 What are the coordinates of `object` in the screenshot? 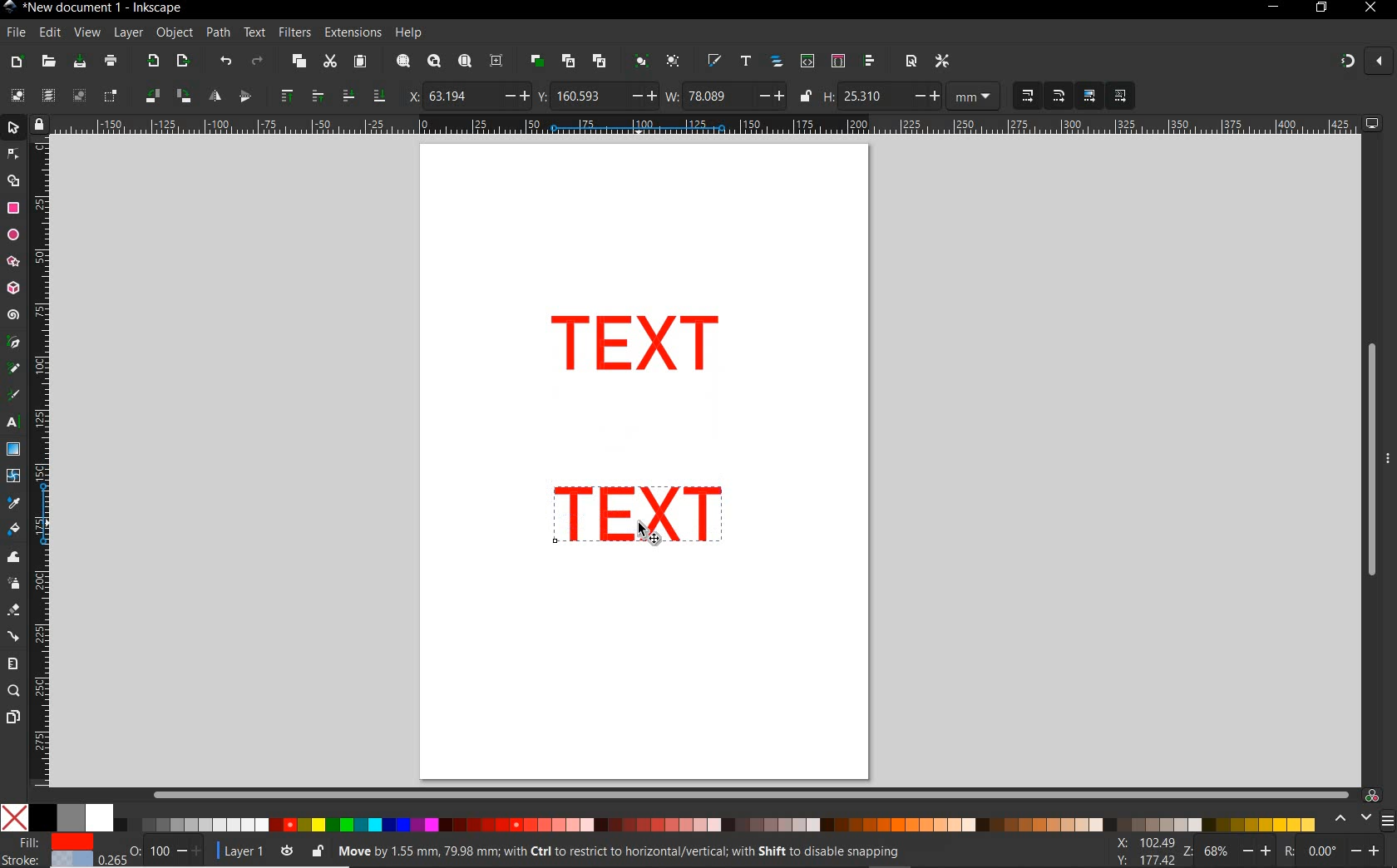 It's located at (175, 33).